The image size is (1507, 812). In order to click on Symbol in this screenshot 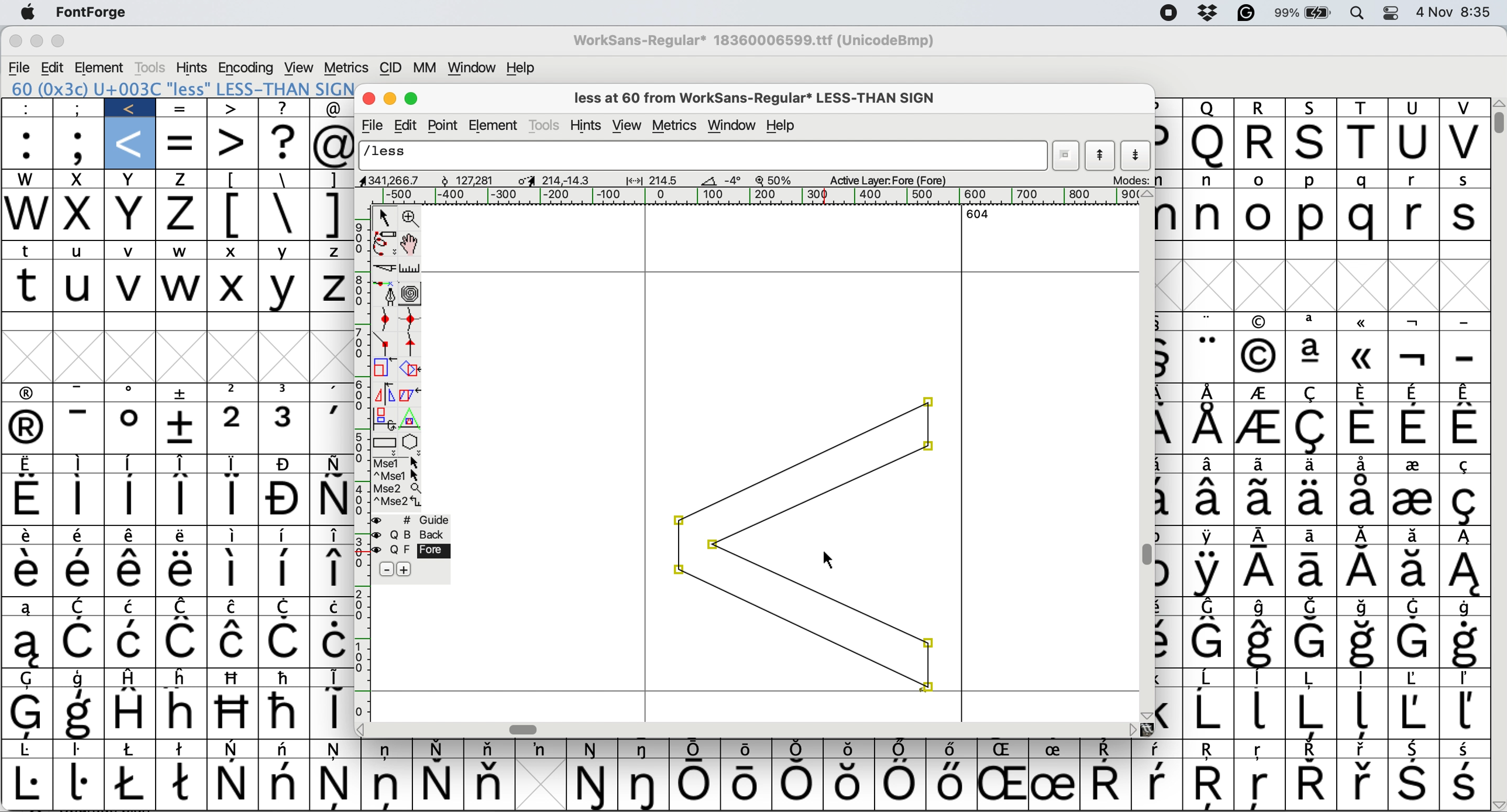, I will do `click(234, 784)`.